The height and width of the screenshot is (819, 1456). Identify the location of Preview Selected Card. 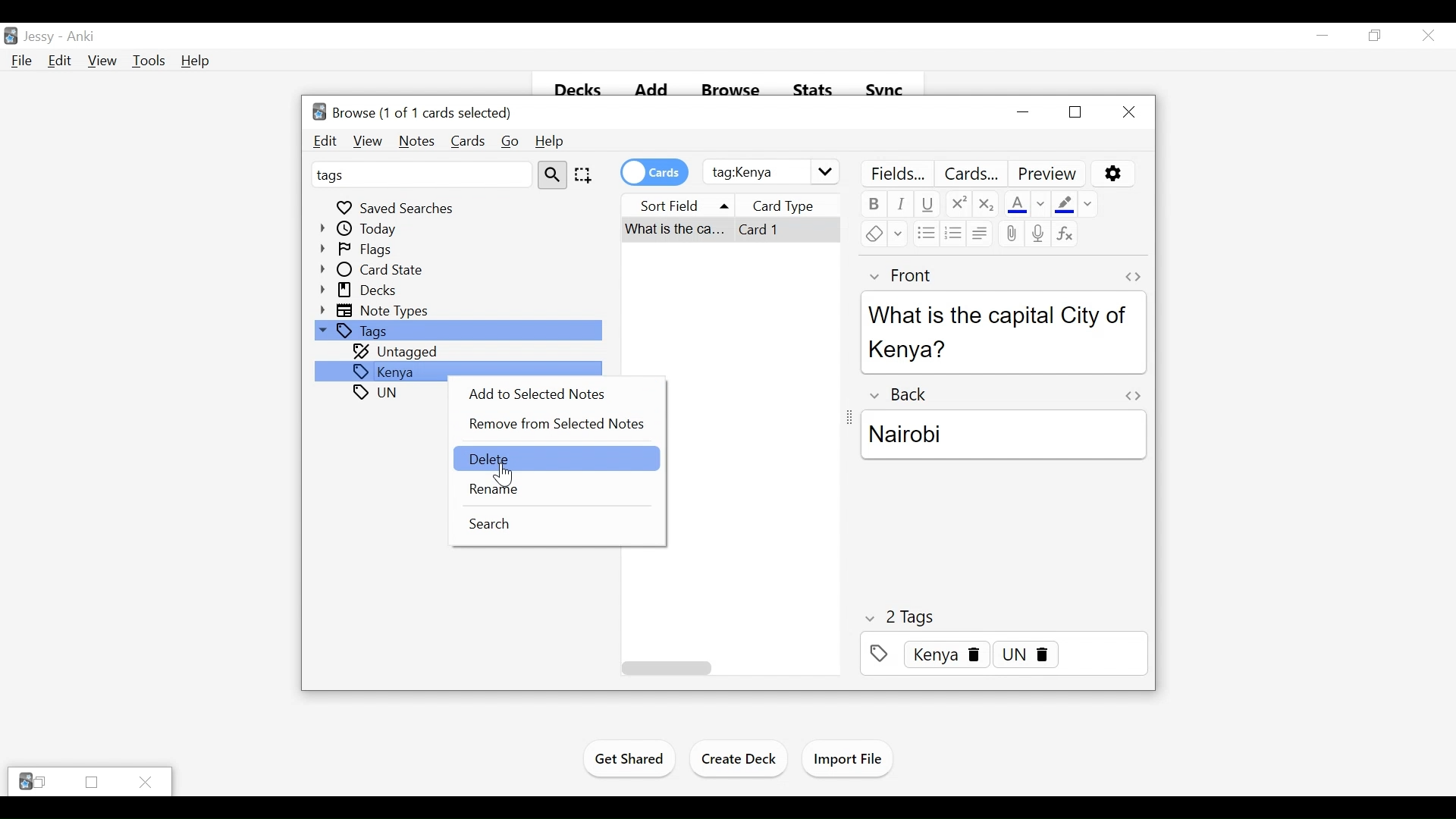
(1049, 174).